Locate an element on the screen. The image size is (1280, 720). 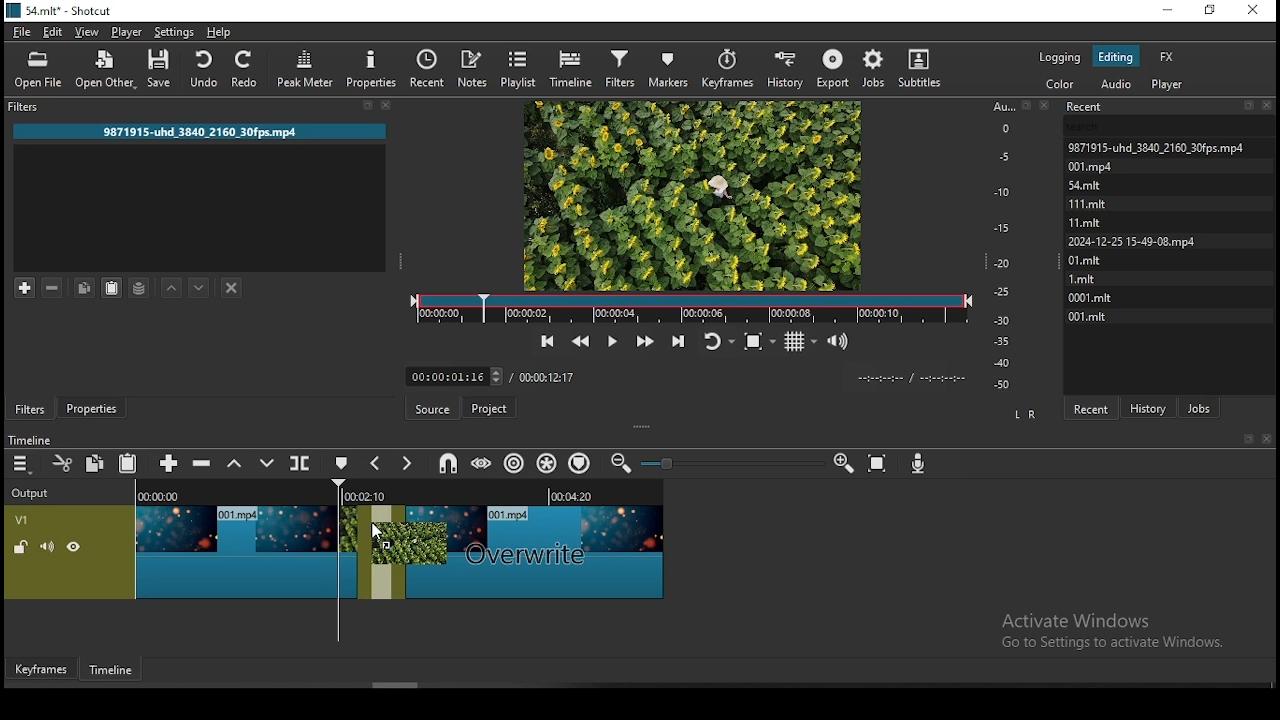
video track is located at coordinates (250, 545).